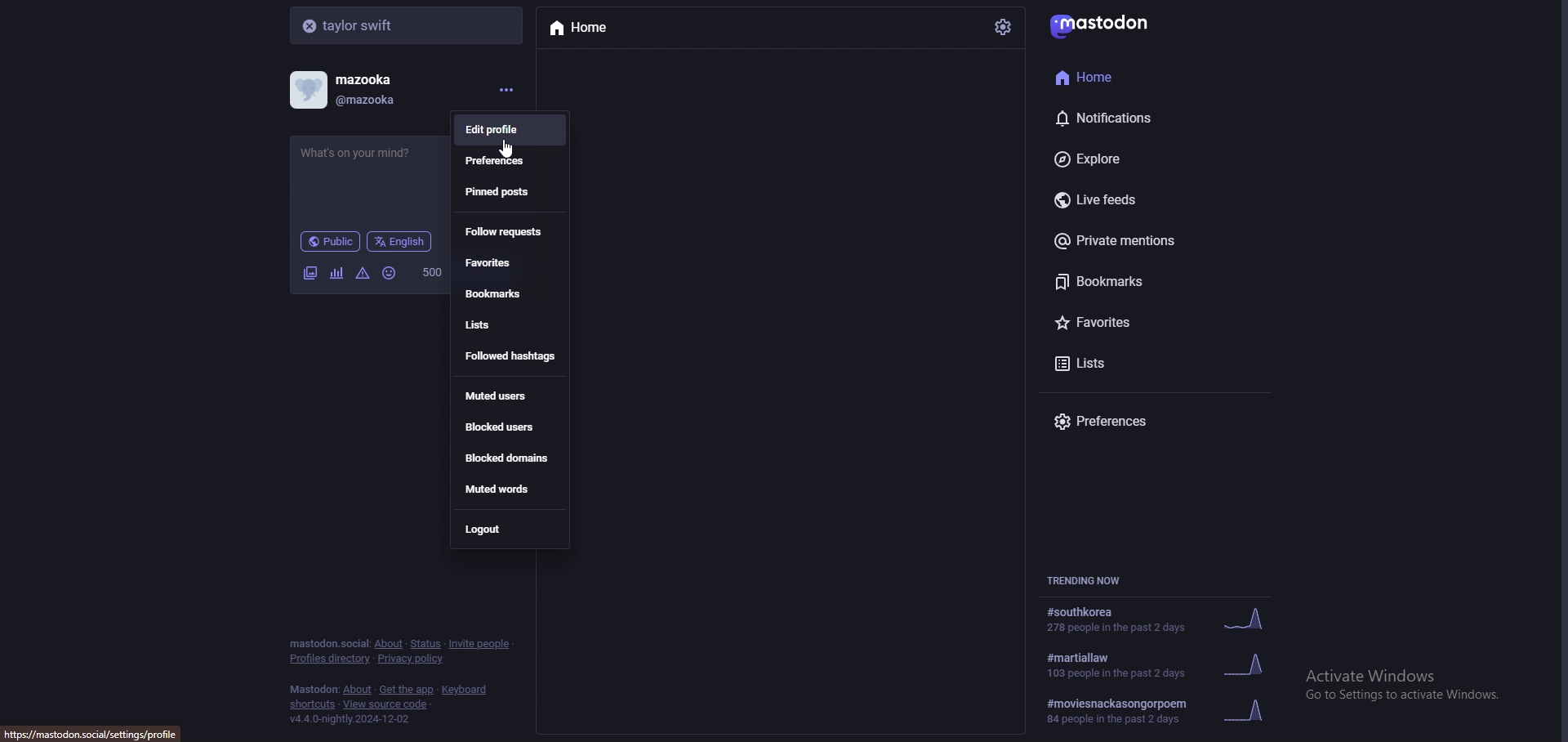  What do you see at coordinates (510, 293) in the screenshot?
I see `bookmarks` at bounding box center [510, 293].